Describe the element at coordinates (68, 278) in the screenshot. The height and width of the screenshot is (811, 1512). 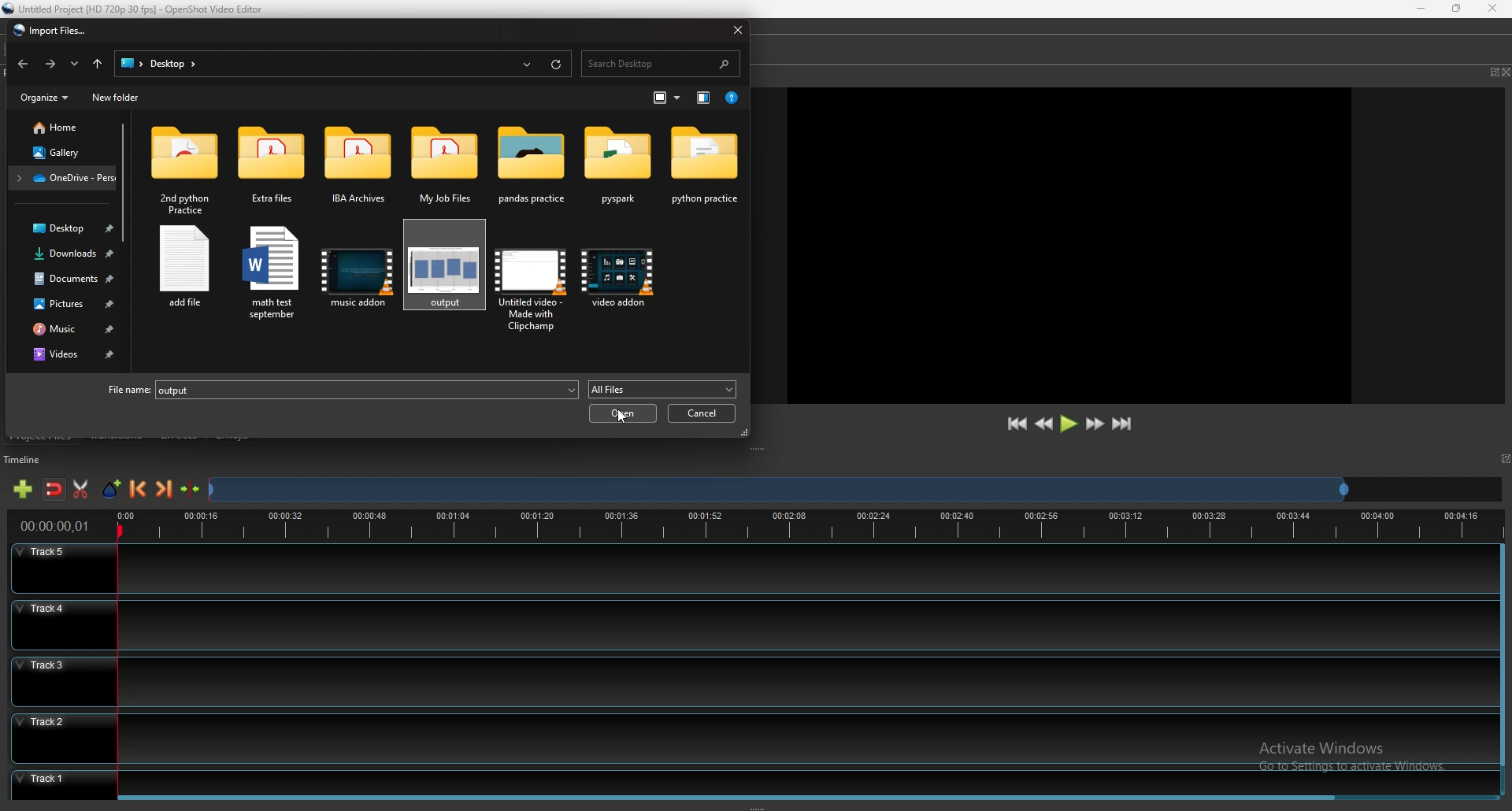
I see `documents` at that location.